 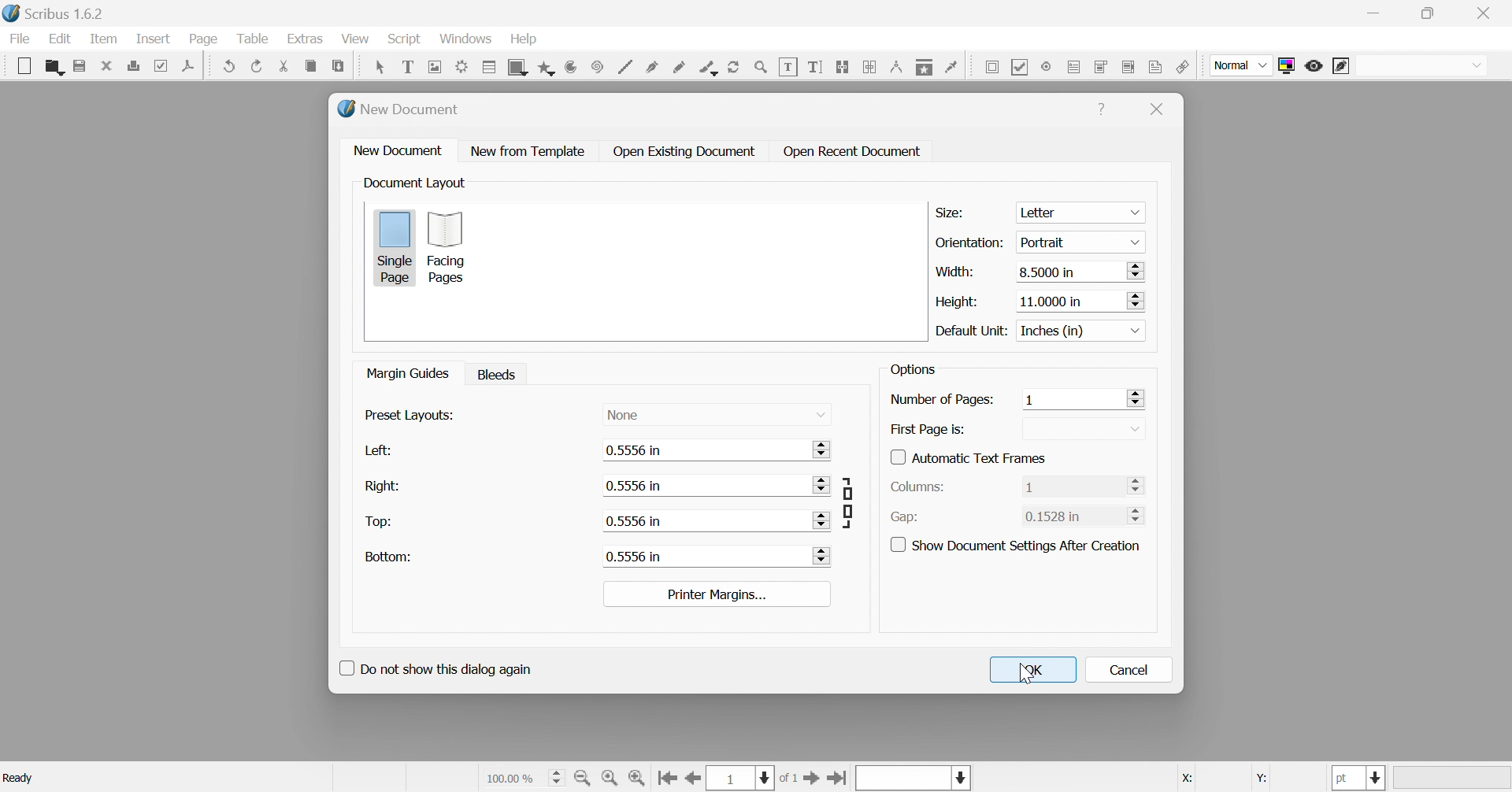 I want to click on slider, so click(x=1135, y=516).